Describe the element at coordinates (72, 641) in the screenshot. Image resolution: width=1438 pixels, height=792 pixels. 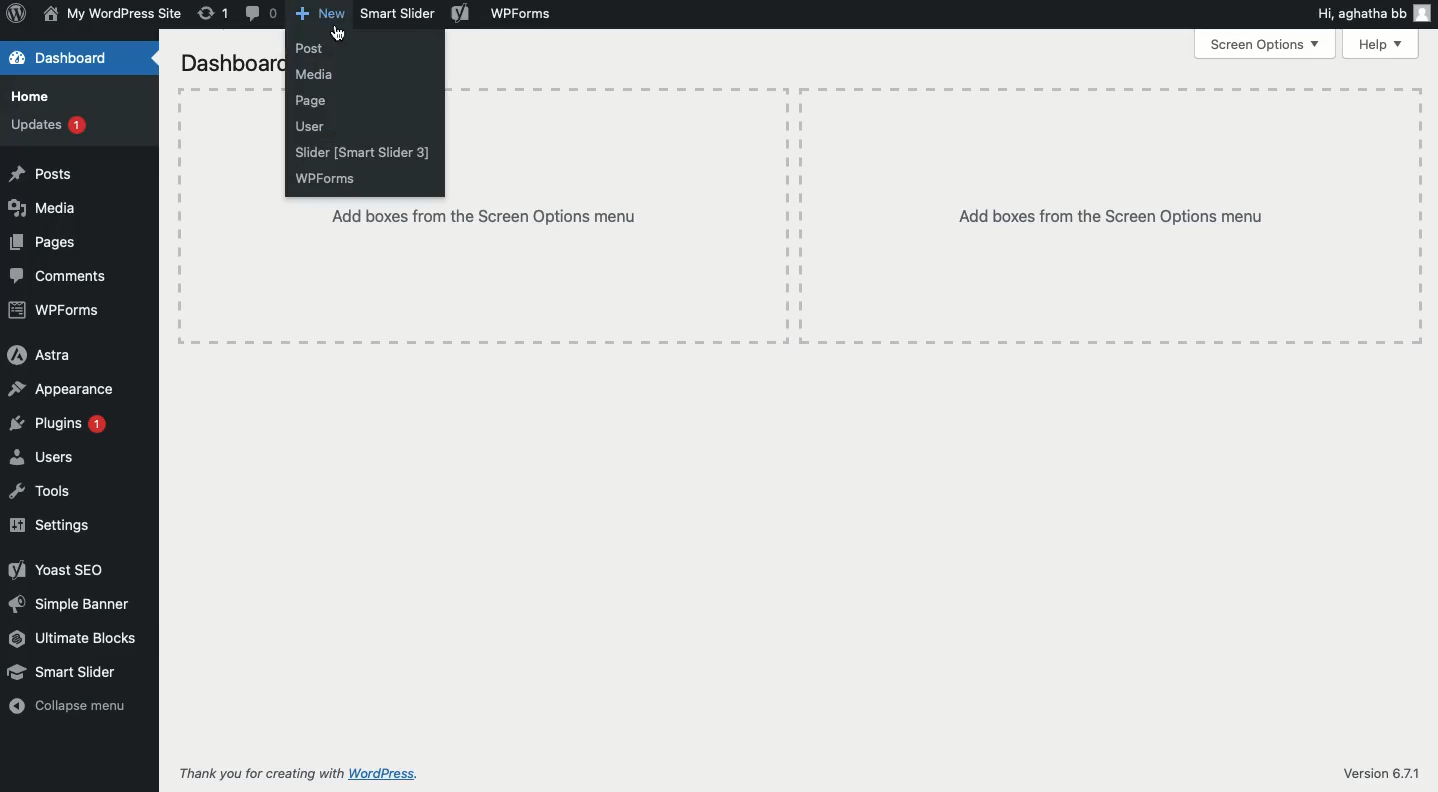
I see `Ultimate blocks` at that location.